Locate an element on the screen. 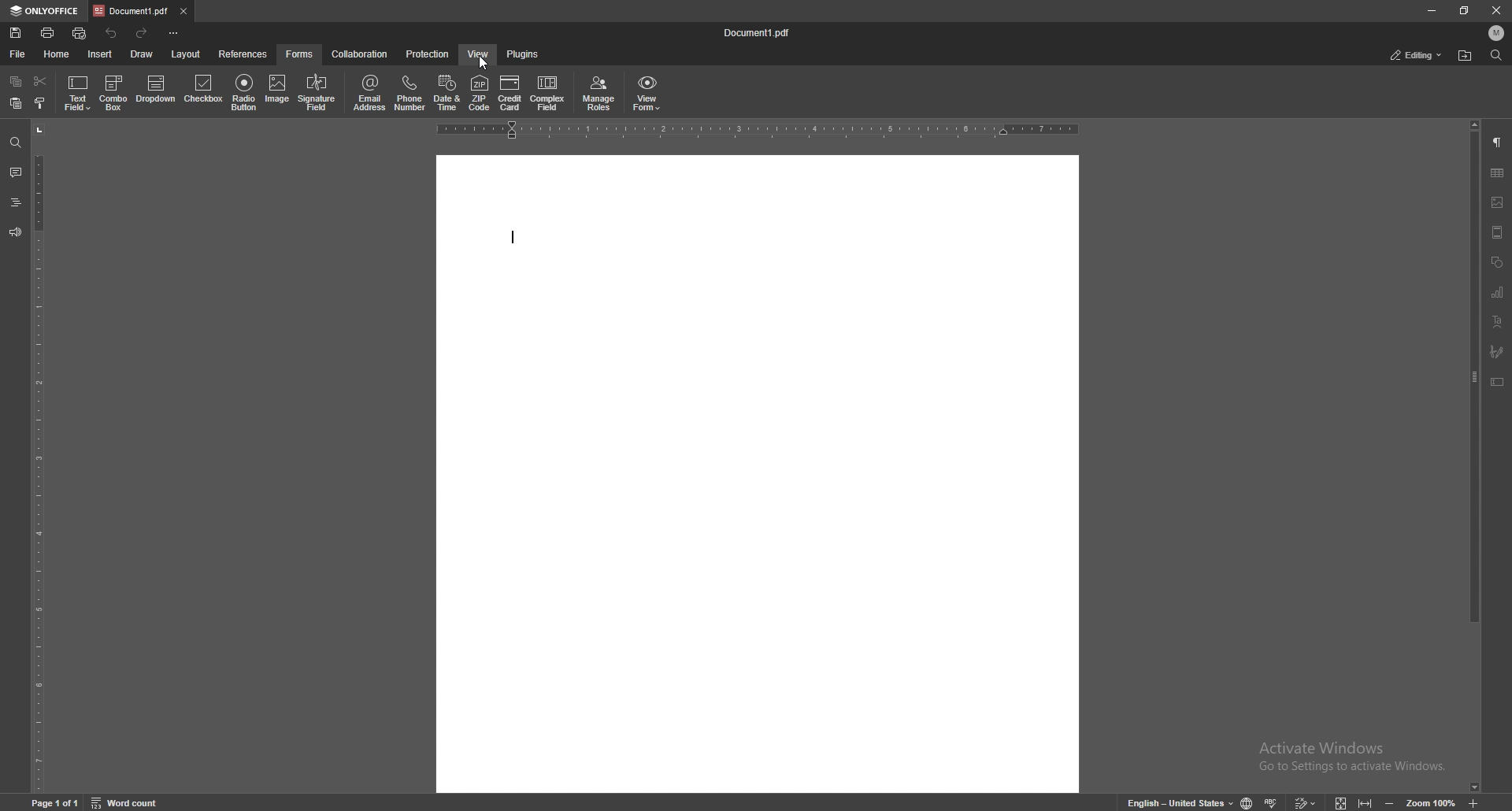 This screenshot has height=811, width=1512. comment is located at coordinates (15, 172).